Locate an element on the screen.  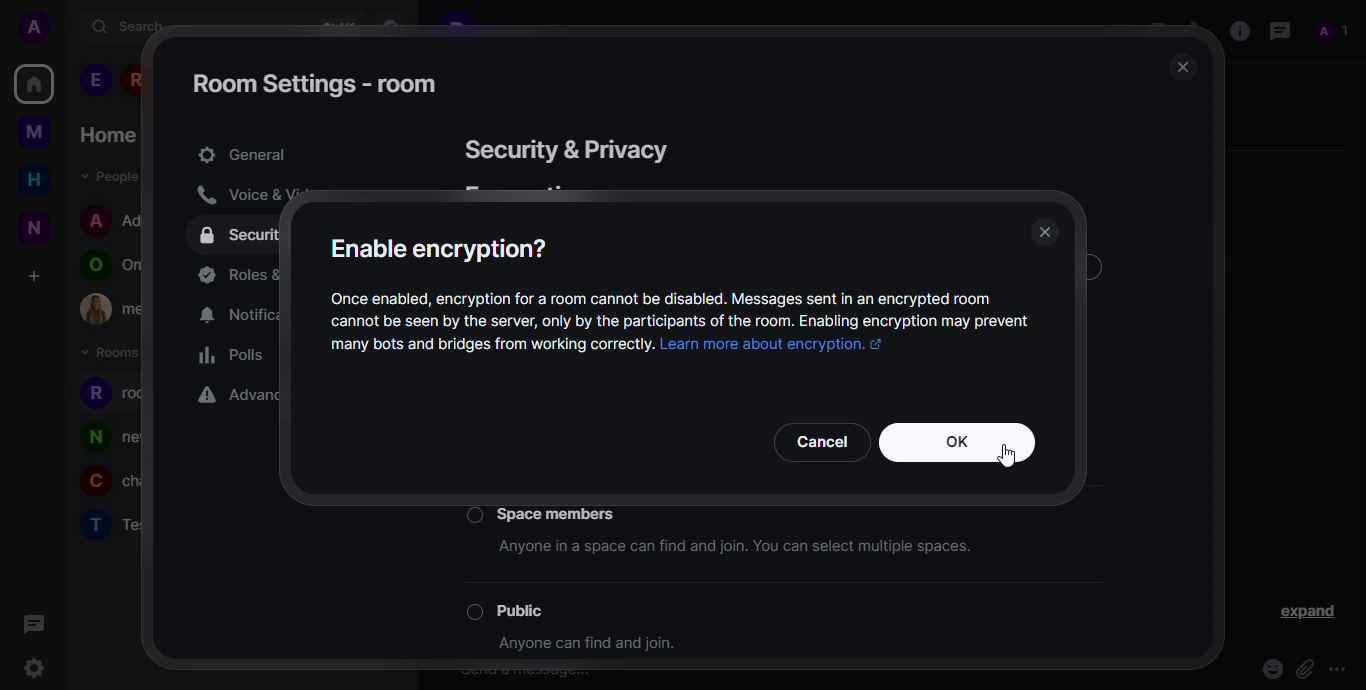
emoji is located at coordinates (1271, 669).